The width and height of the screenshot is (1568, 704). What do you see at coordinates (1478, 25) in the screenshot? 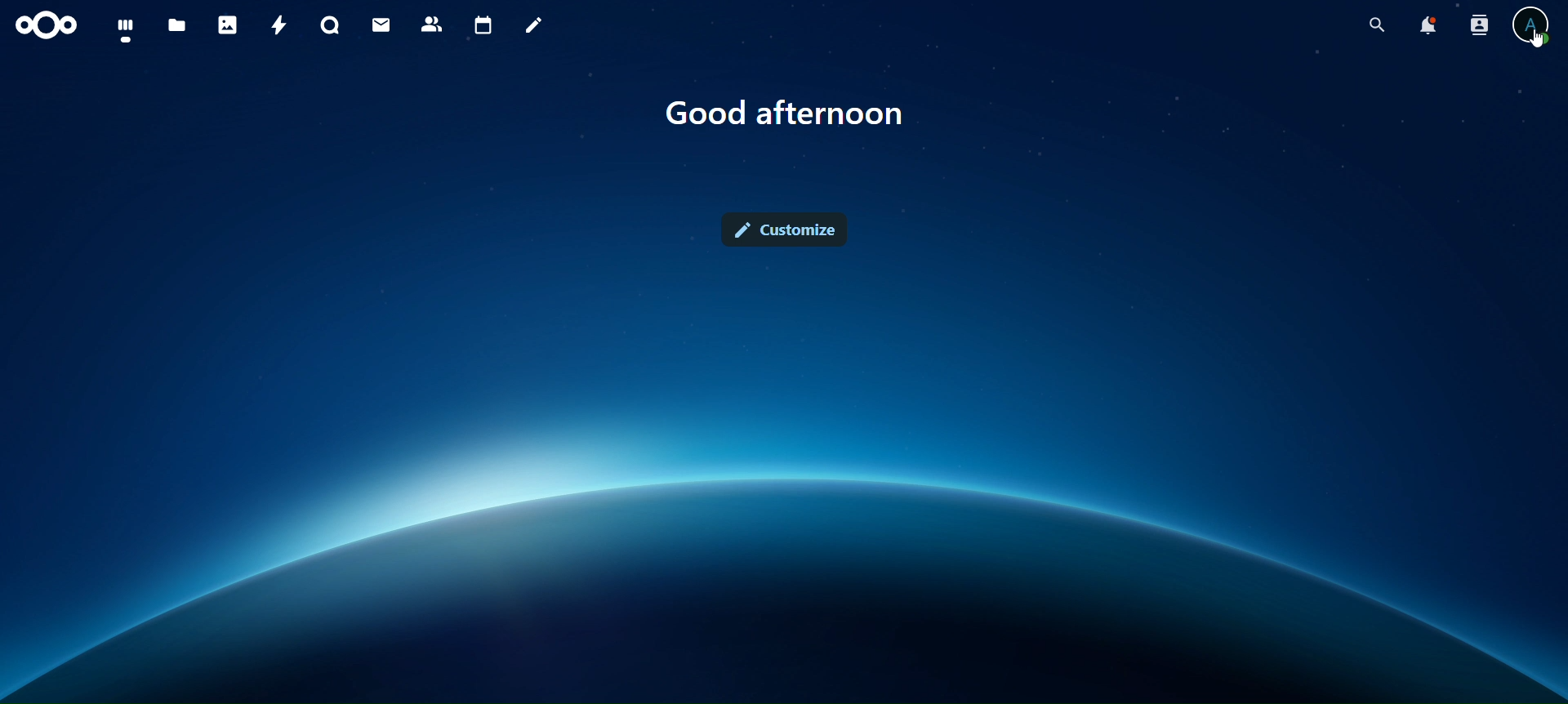
I see `search contacts` at bounding box center [1478, 25].